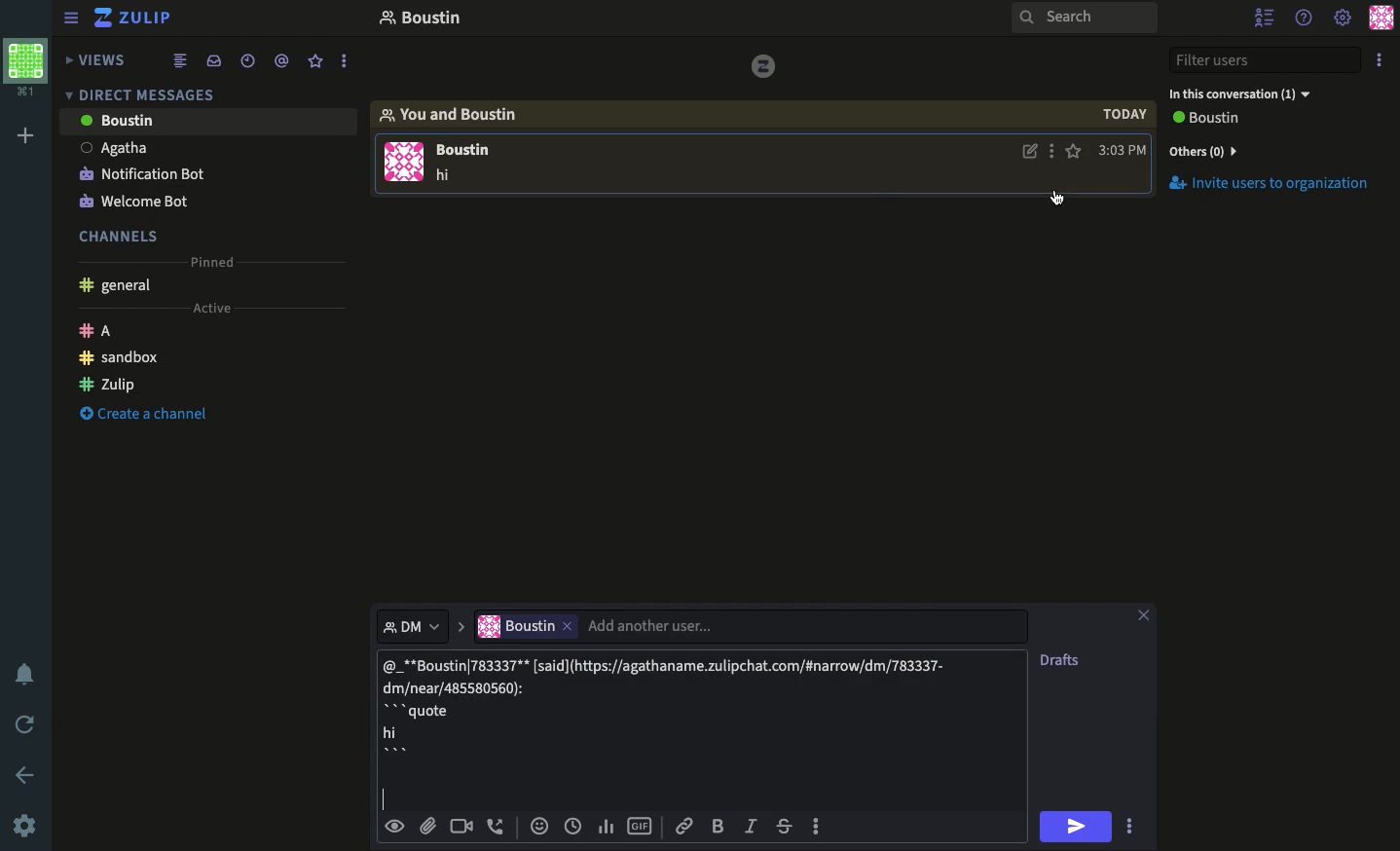 Image resolution: width=1400 pixels, height=851 pixels. I want to click on Text, so click(447, 176).